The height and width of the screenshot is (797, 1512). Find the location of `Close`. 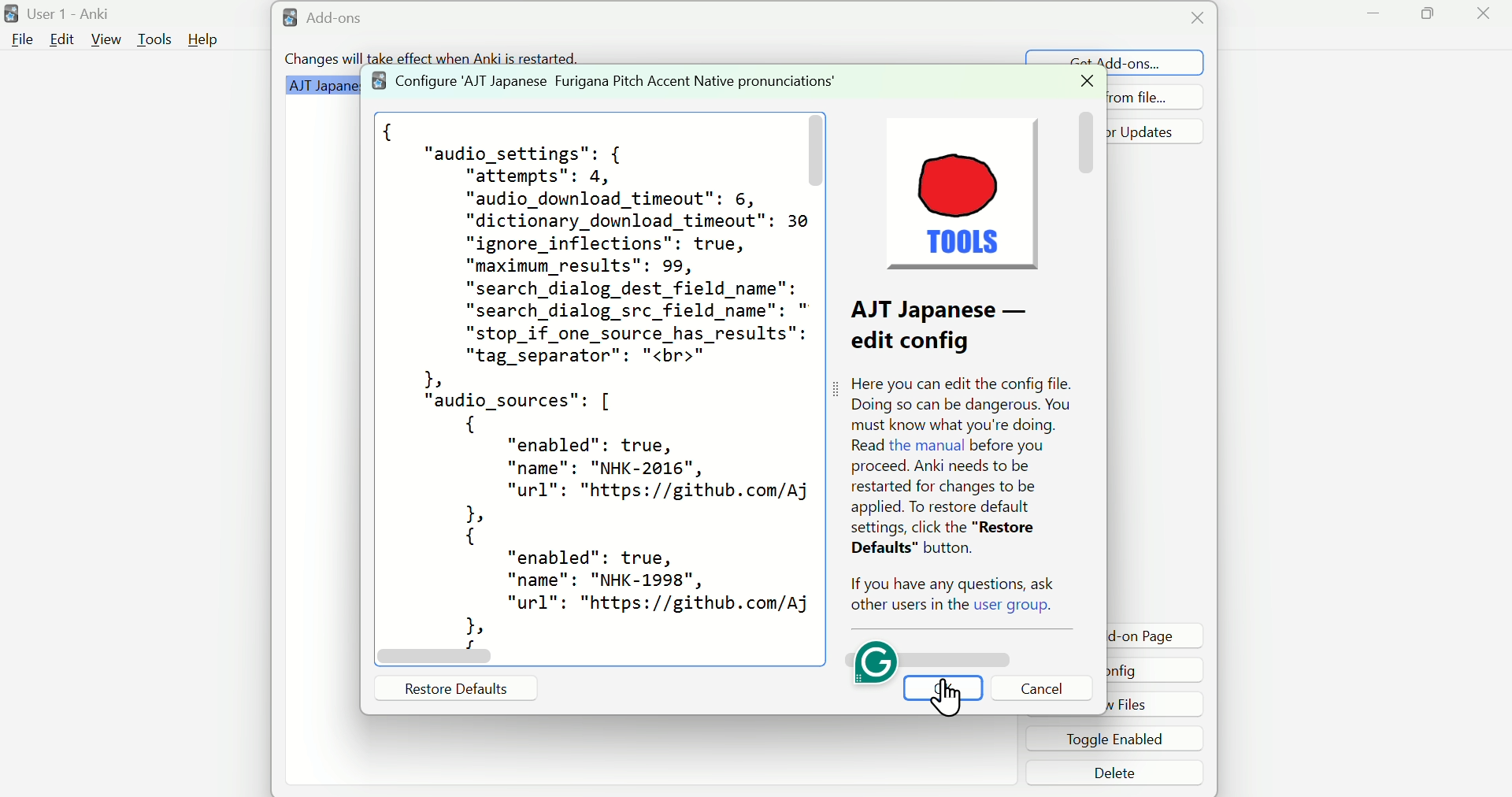

Close is located at coordinates (1194, 20).